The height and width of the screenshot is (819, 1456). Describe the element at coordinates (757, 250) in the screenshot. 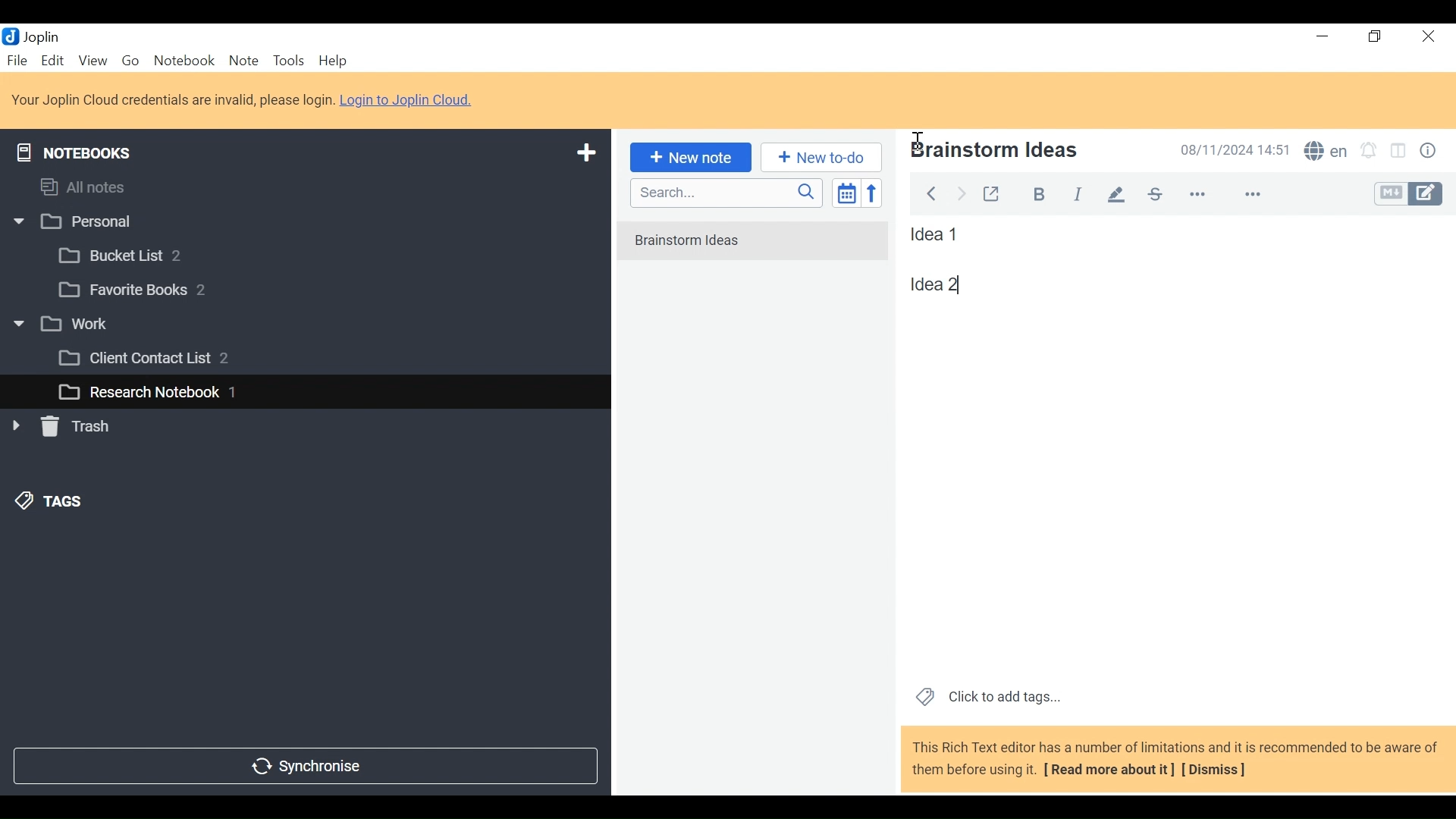

I see `No notes in here. Create one by clicking
on "New note".` at that location.